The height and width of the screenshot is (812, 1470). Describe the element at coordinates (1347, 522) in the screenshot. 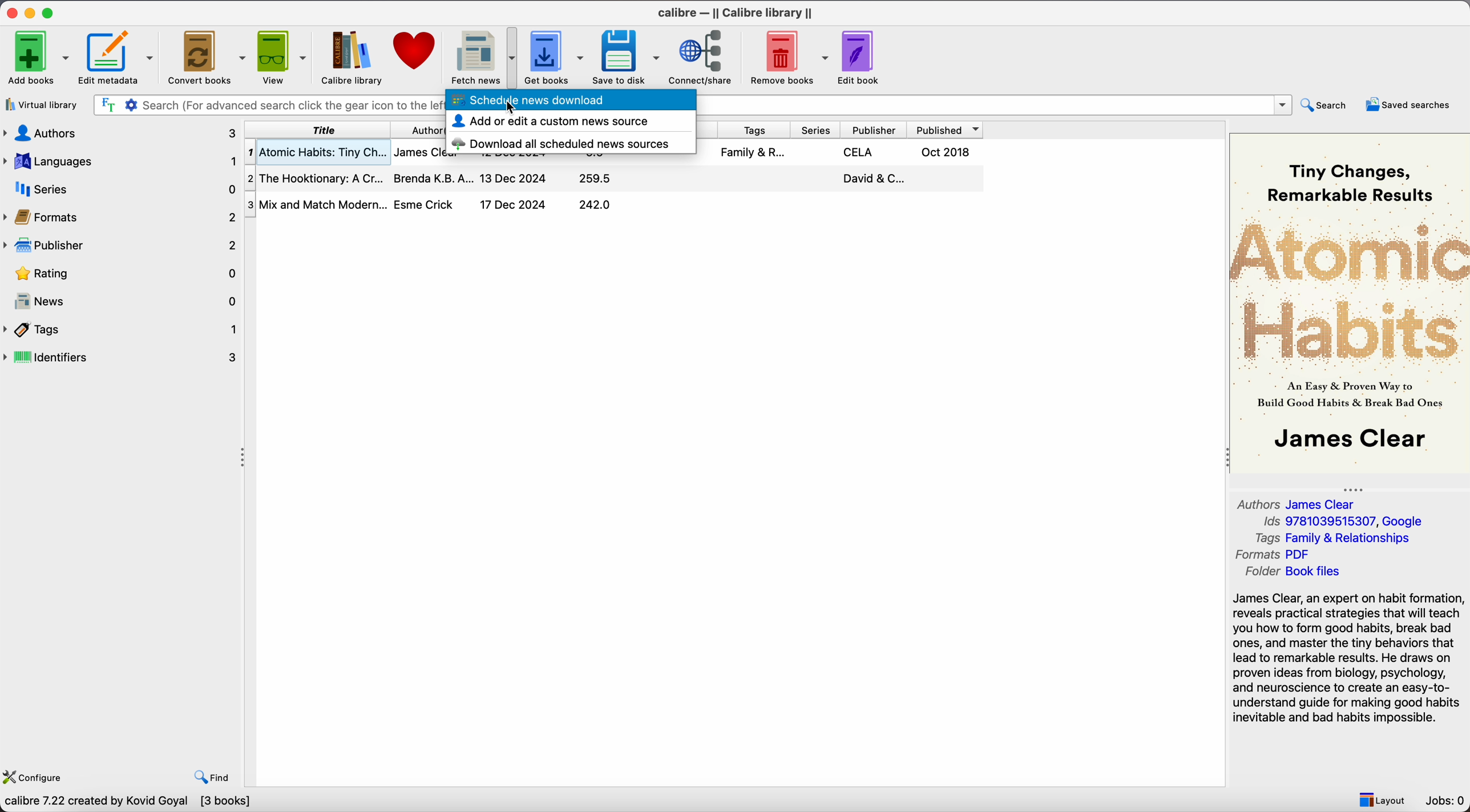

I see `Ids 9781039515307, Google` at that location.